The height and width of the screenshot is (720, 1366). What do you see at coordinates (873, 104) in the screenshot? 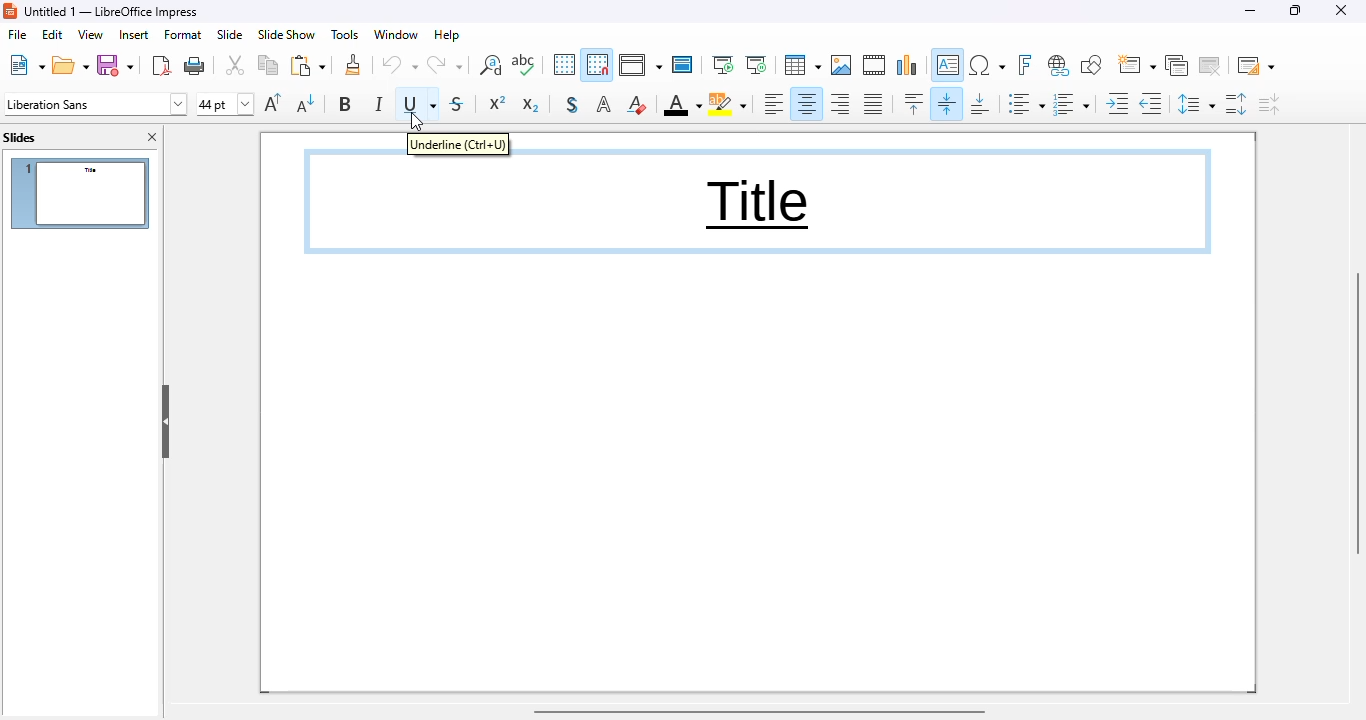
I see `justified` at bounding box center [873, 104].